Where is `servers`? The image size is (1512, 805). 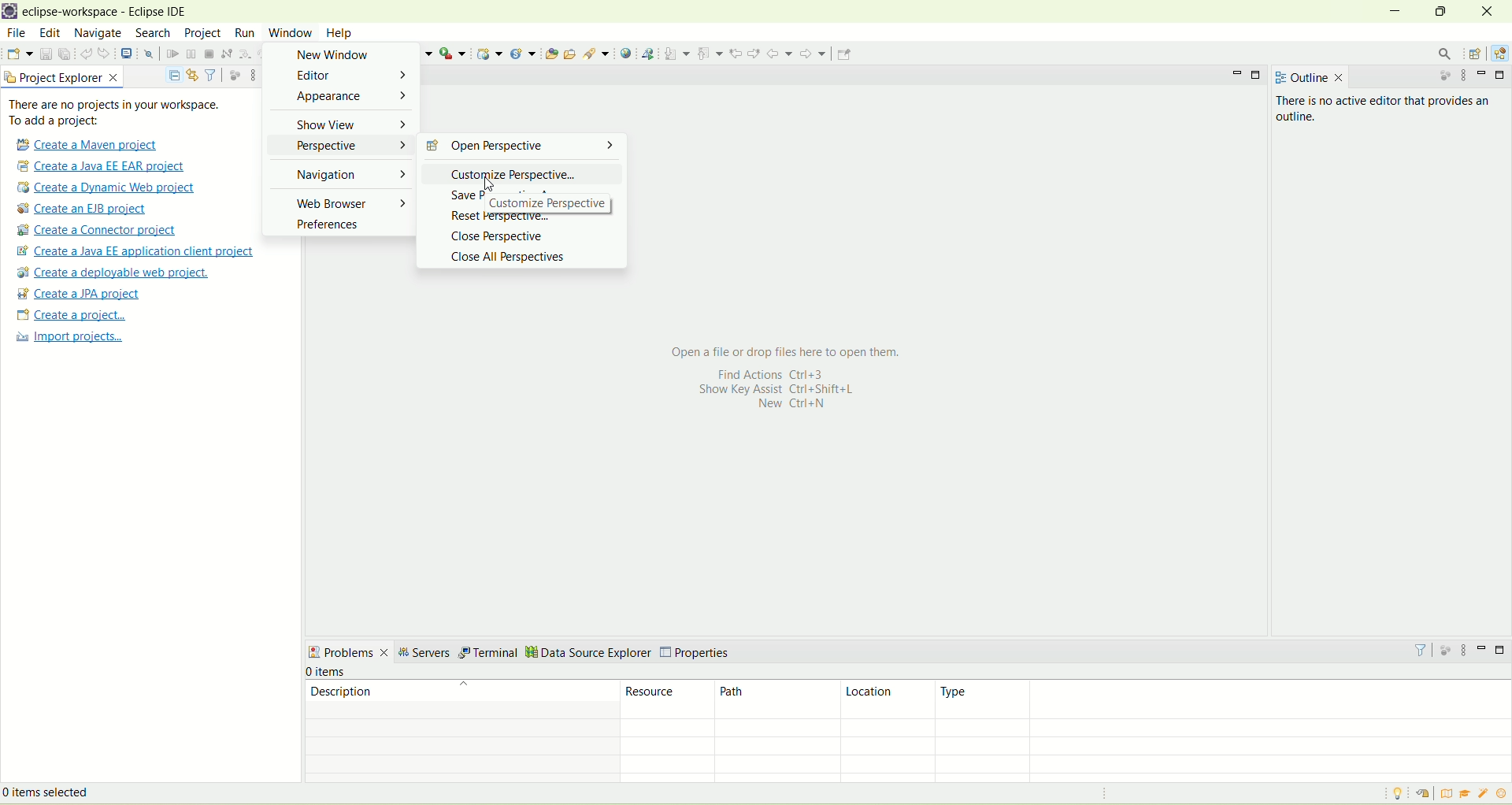
servers is located at coordinates (423, 655).